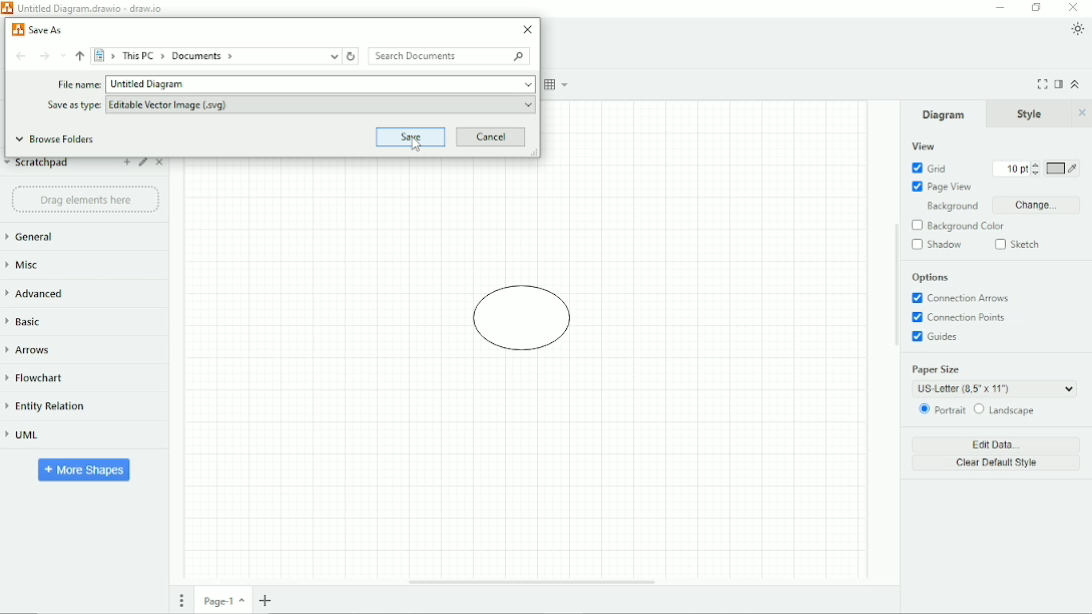 The height and width of the screenshot is (614, 1092). Describe the element at coordinates (960, 297) in the screenshot. I see `Connection Arrows` at that location.